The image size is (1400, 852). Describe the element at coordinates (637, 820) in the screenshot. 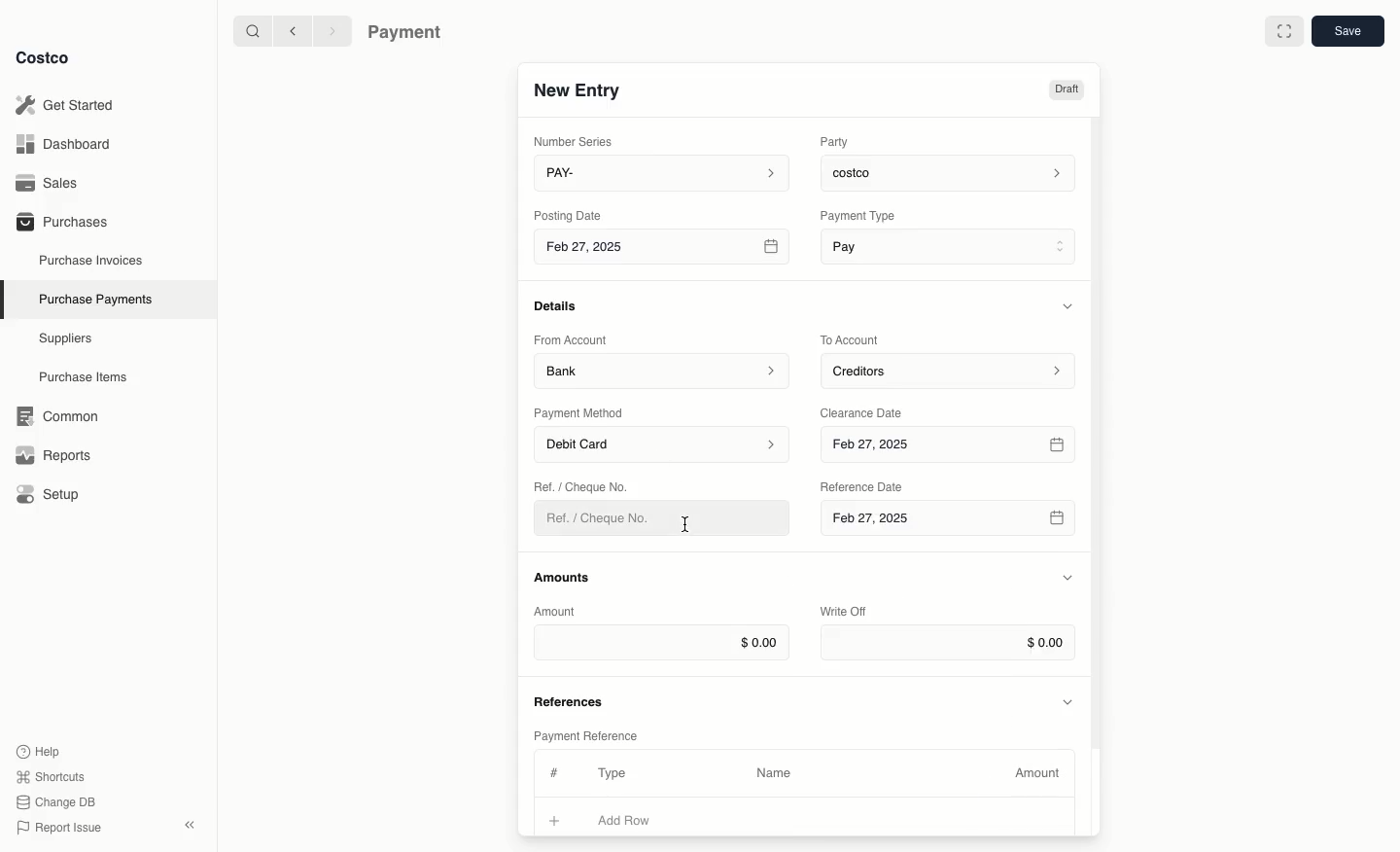

I see `Add Row` at that location.